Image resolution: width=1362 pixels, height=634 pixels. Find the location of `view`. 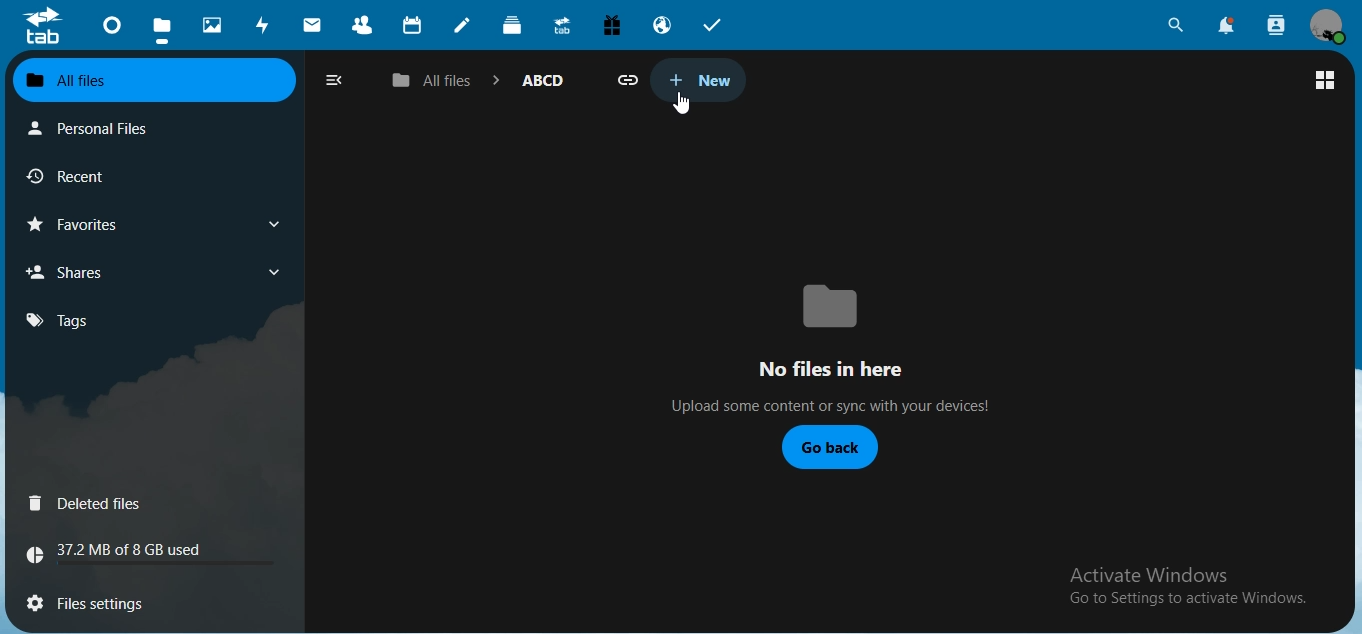

view is located at coordinates (1324, 79).